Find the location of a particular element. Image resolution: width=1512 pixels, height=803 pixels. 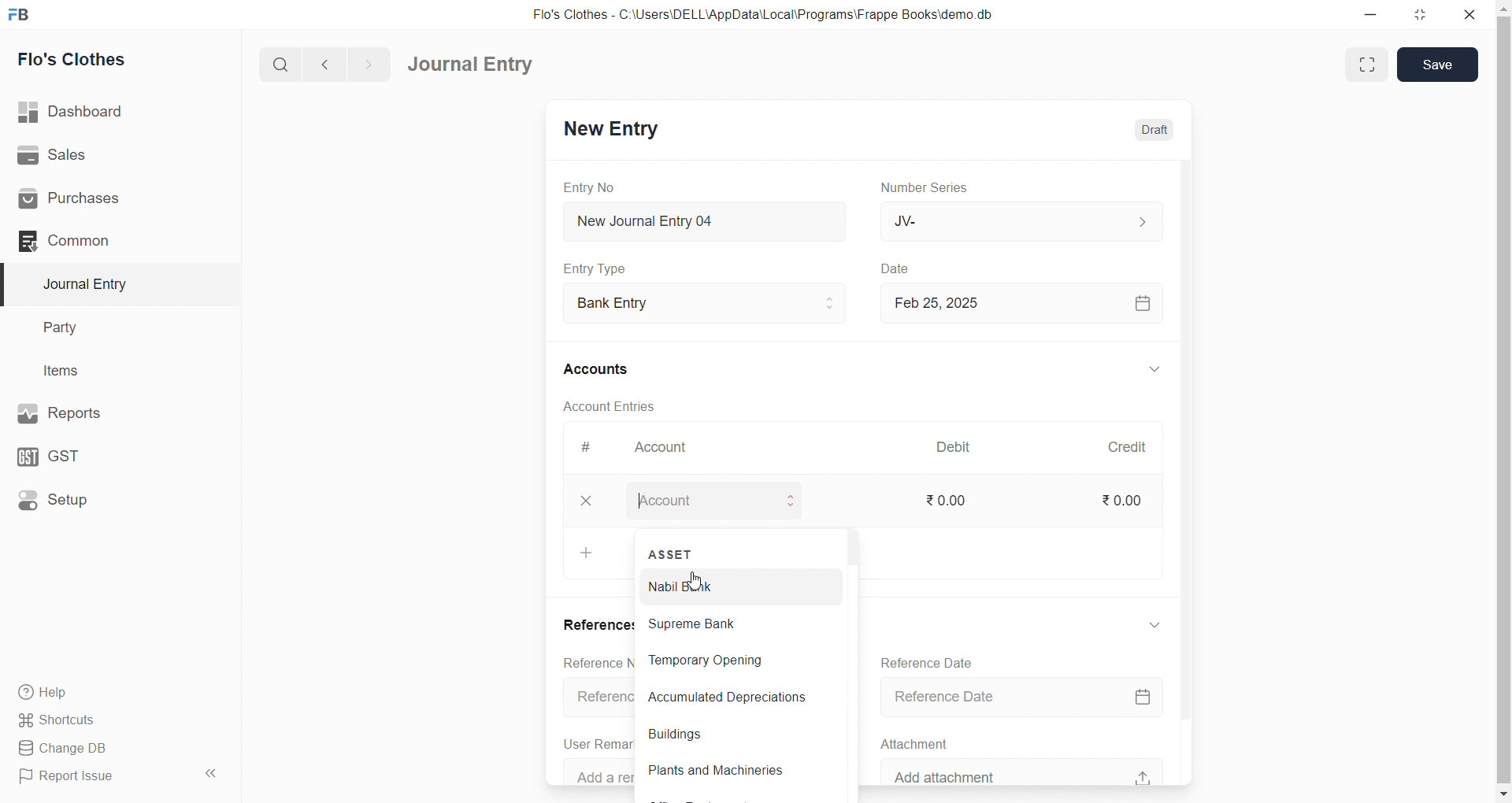

GST is located at coordinates (109, 453).